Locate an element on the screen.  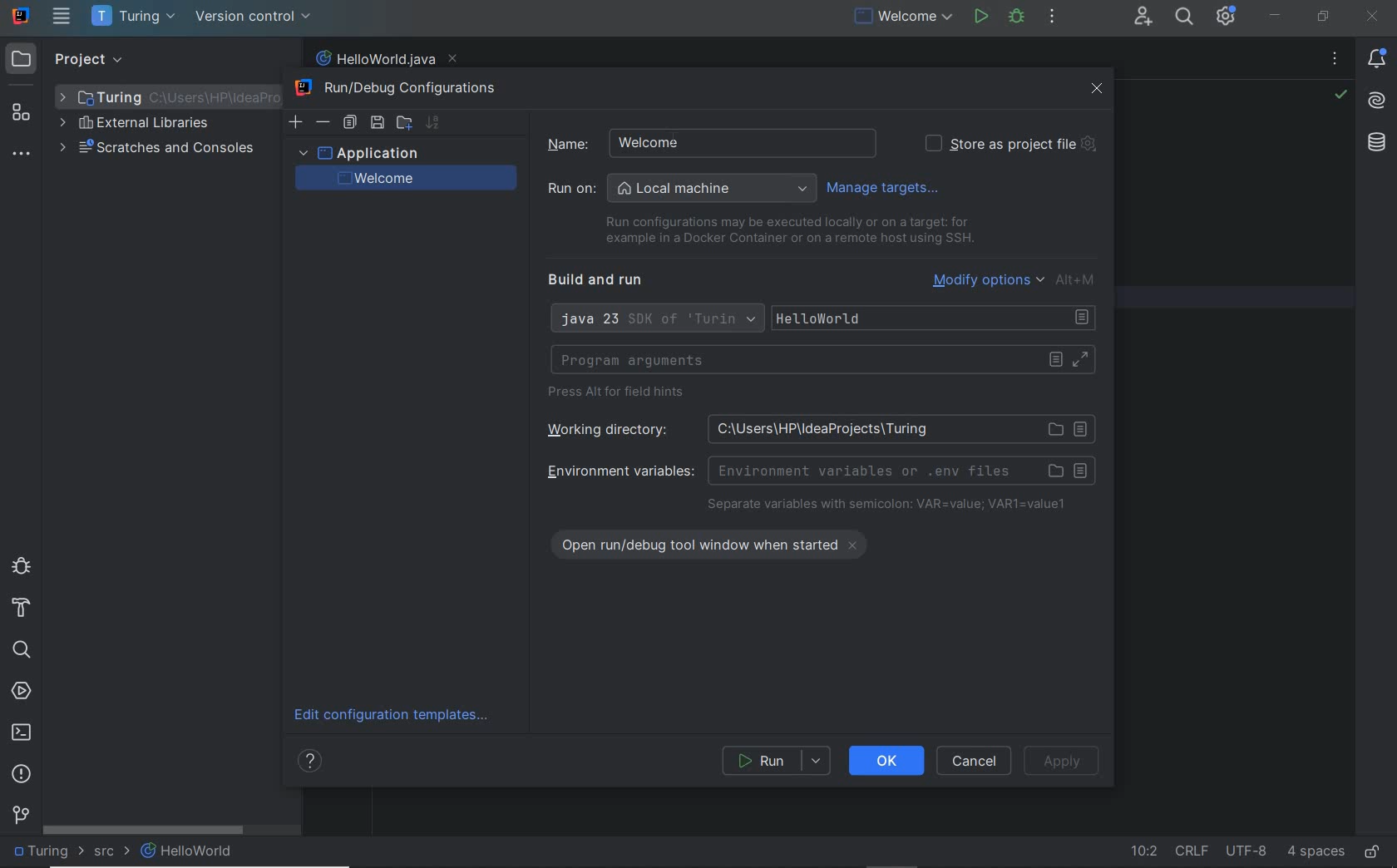
problems is located at coordinates (22, 775).